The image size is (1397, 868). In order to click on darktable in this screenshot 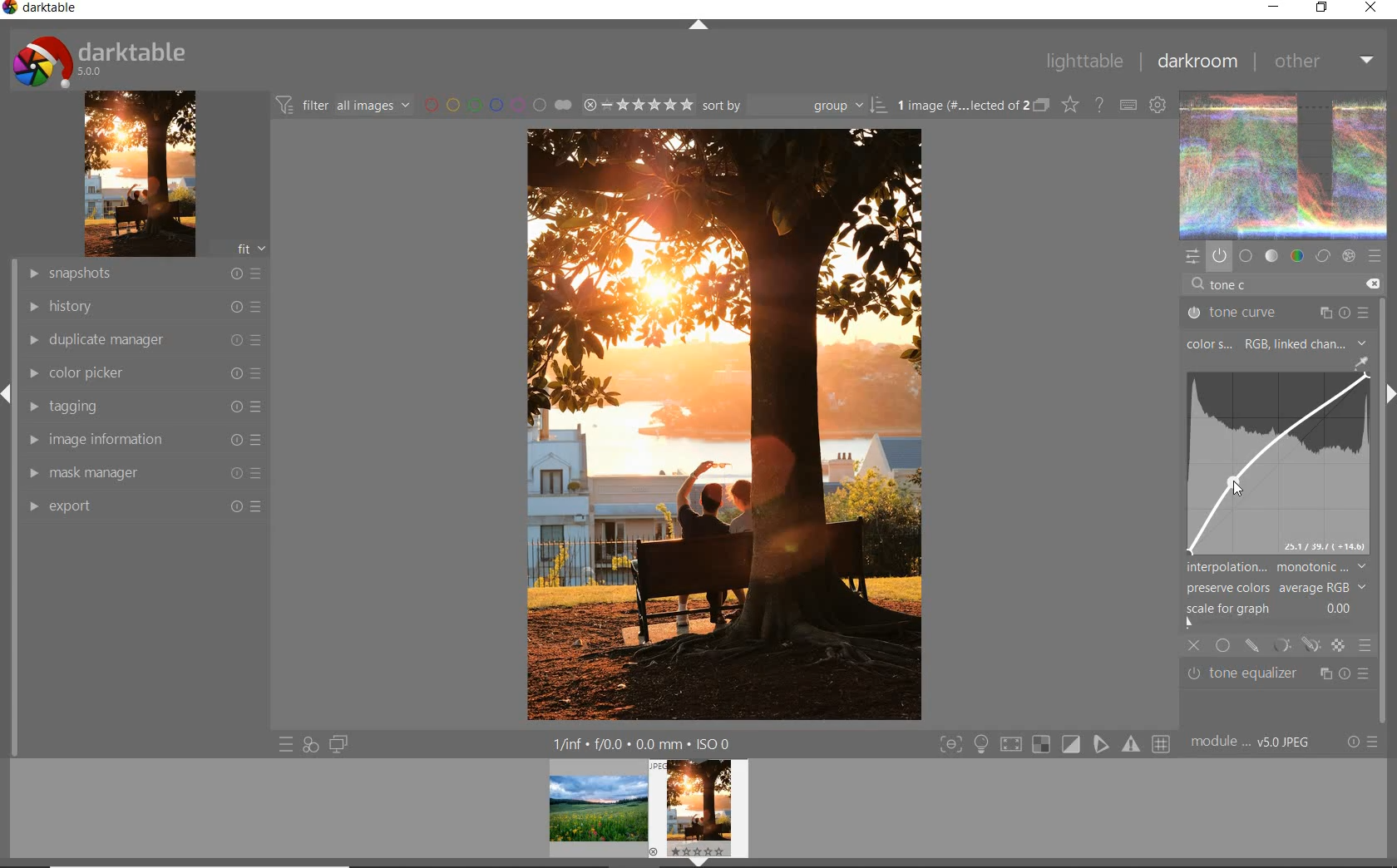, I will do `click(99, 59)`.